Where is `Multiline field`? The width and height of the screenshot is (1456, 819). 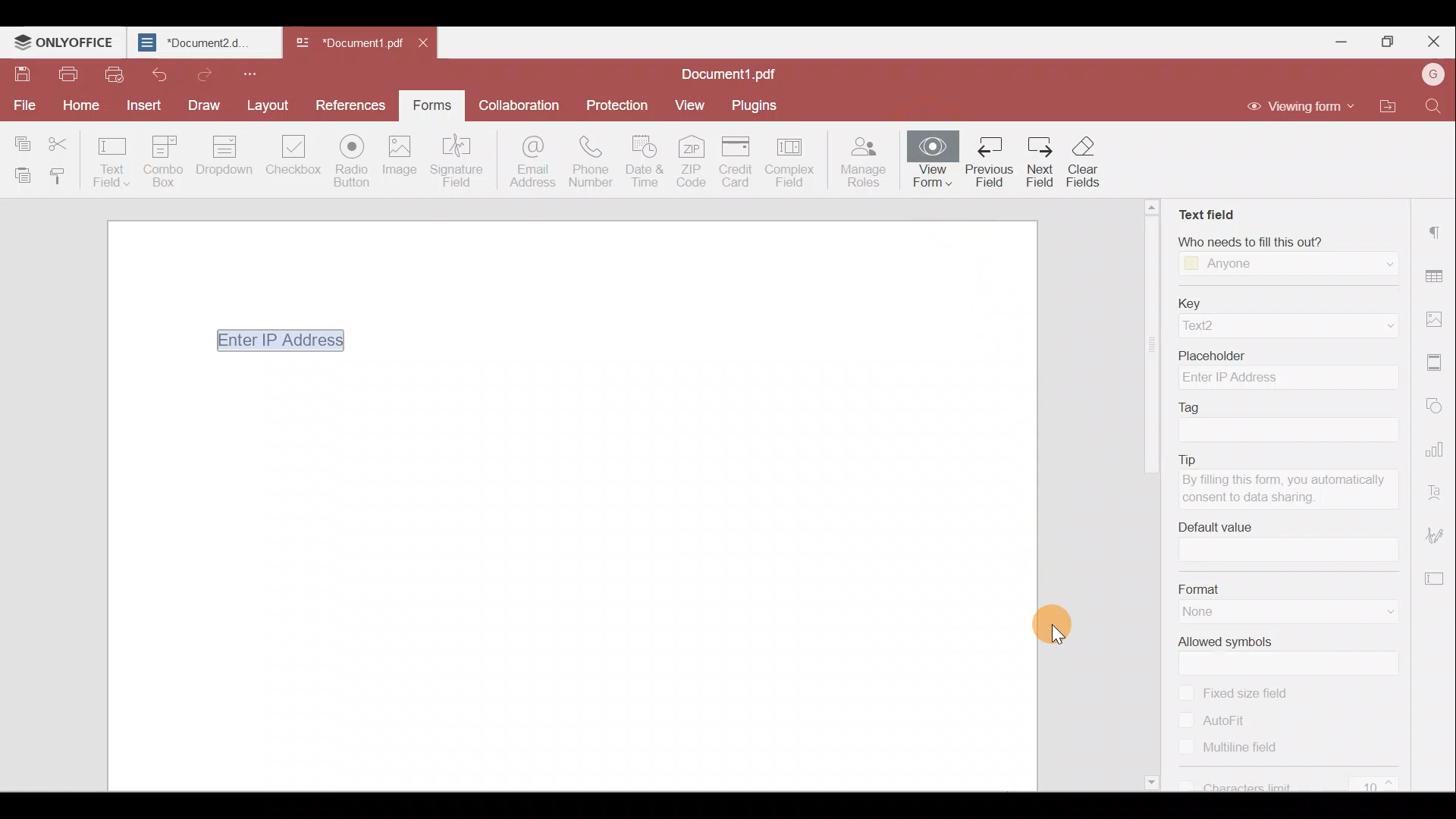
Multiline field is located at coordinates (1247, 749).